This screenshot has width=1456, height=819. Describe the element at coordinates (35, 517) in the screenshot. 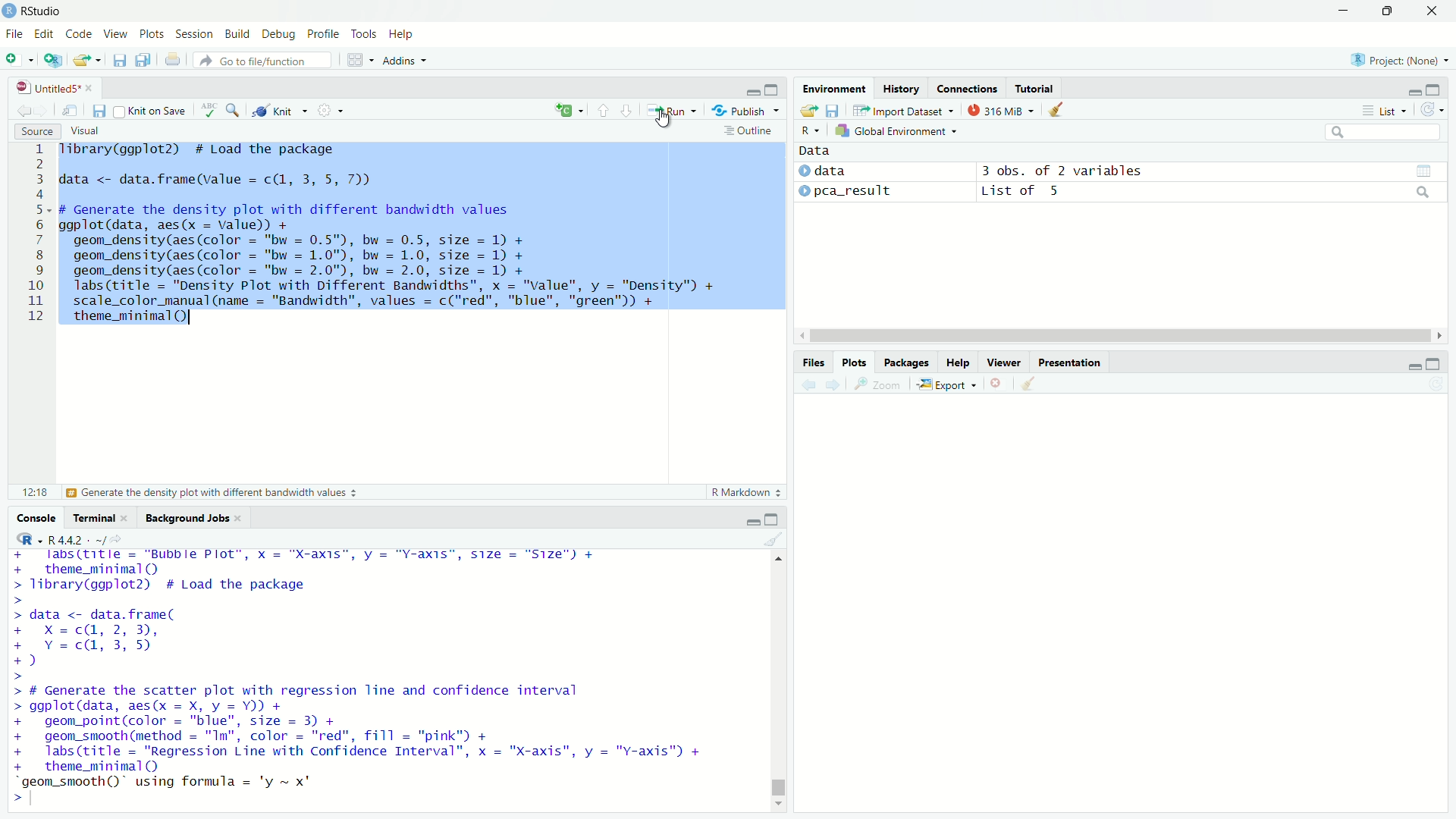

I see `Console` at that location.